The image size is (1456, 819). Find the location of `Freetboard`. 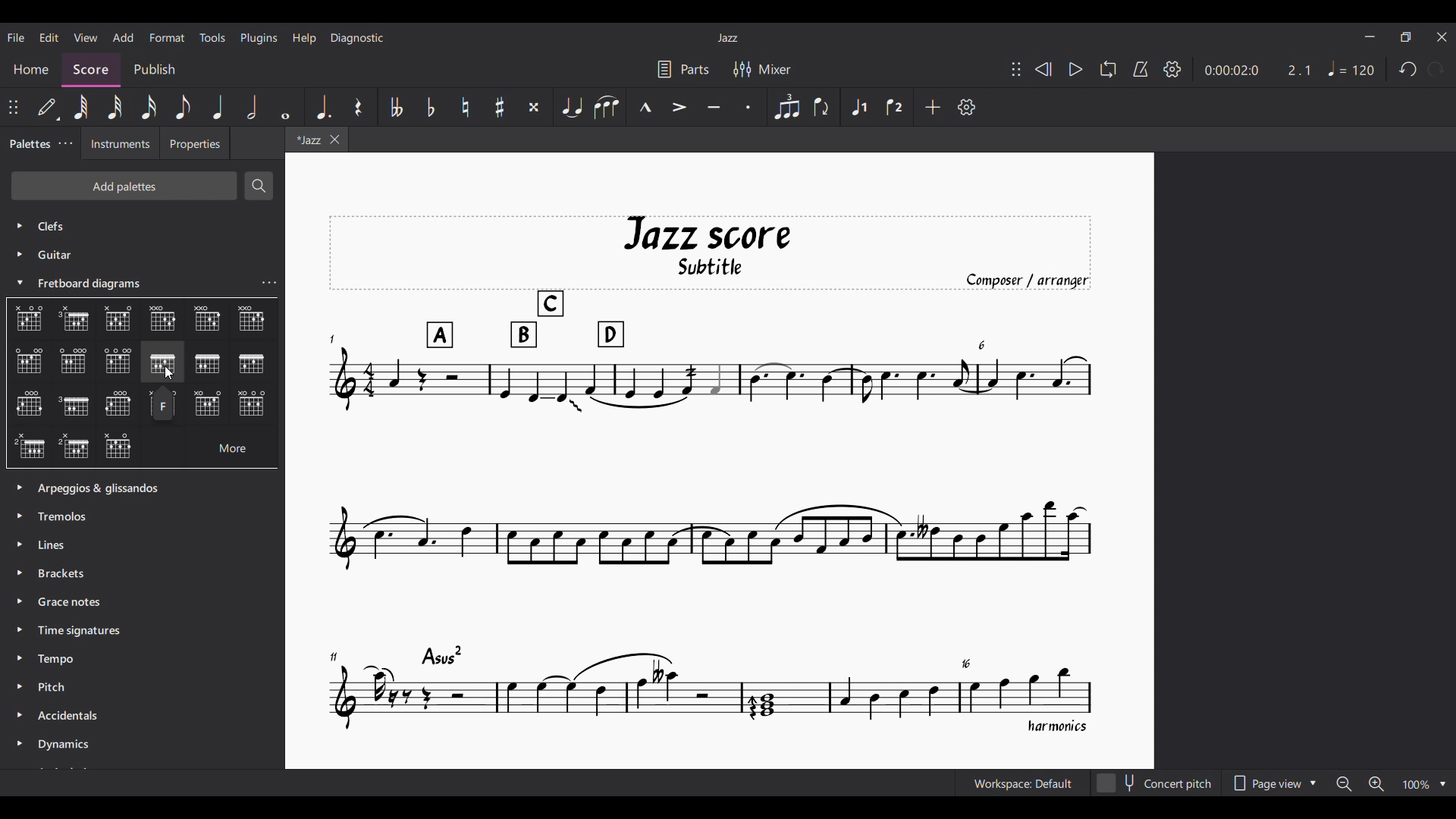

Freetboard is located at coordinates (97, 284).